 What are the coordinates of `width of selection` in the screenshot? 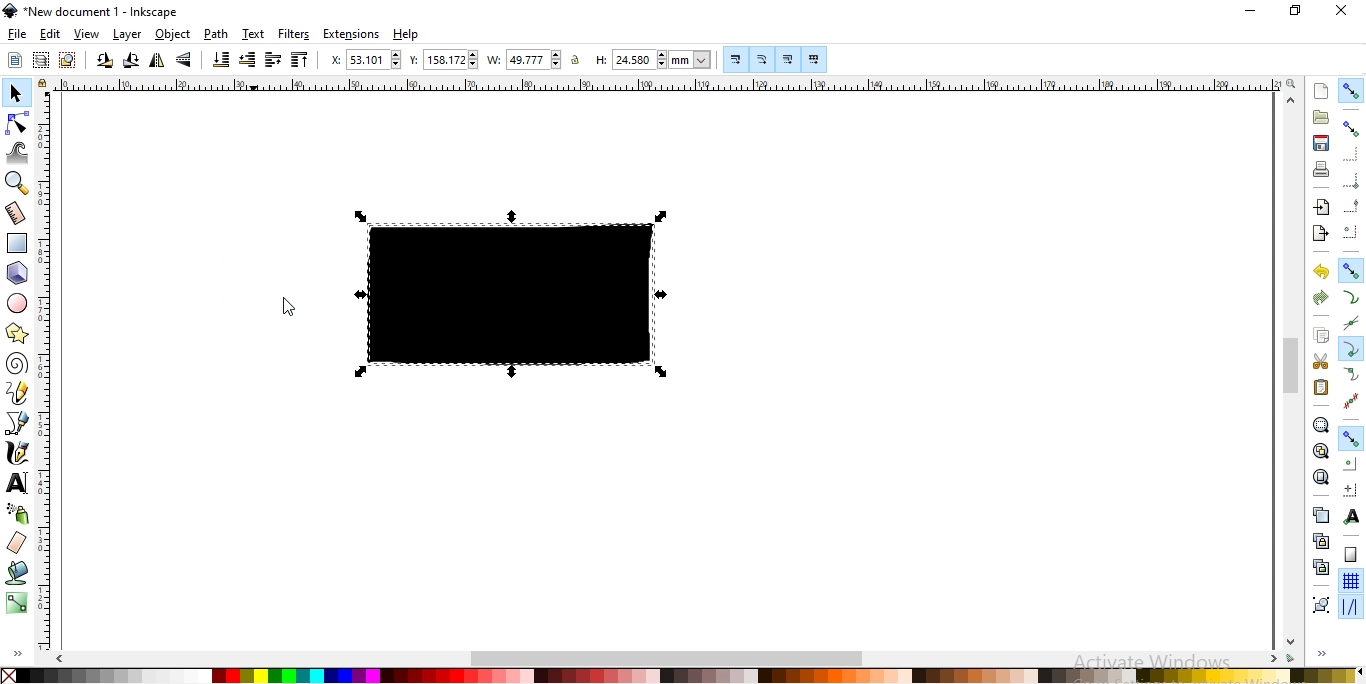 It's located at (526, 59).